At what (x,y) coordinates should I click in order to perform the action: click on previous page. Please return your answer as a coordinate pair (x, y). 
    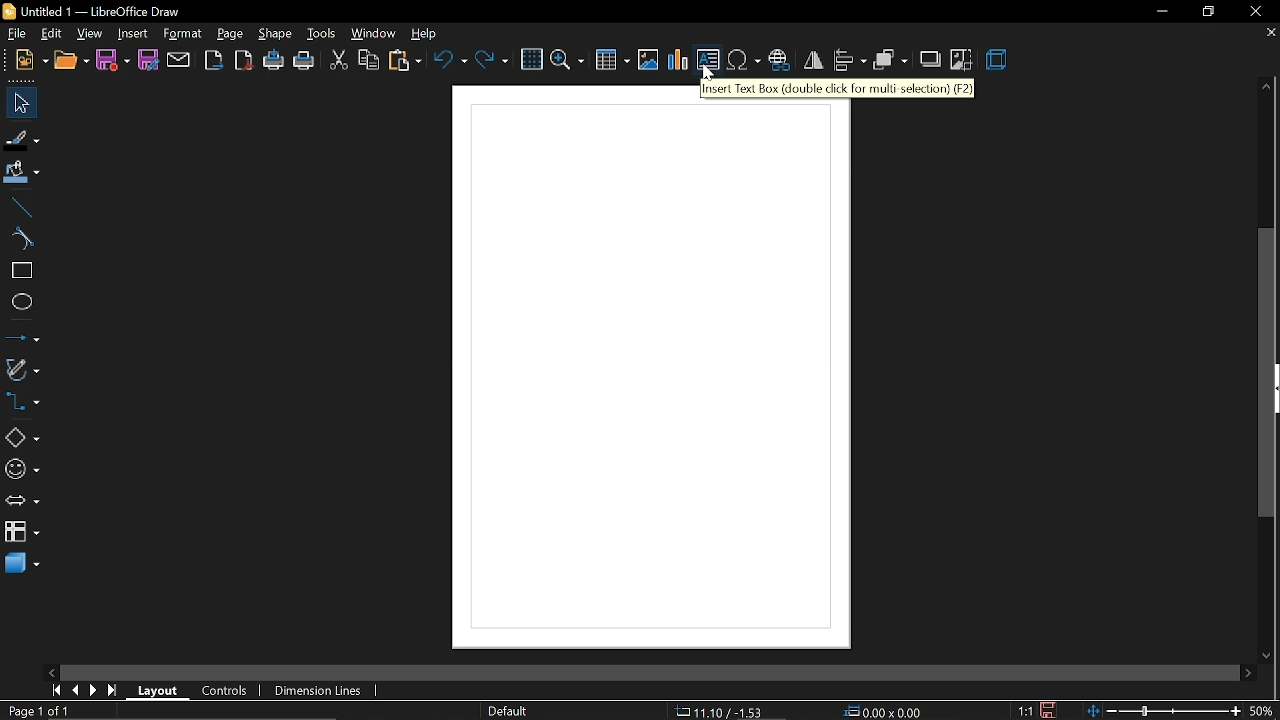
    Looking at the image, I should click on (74, 691).